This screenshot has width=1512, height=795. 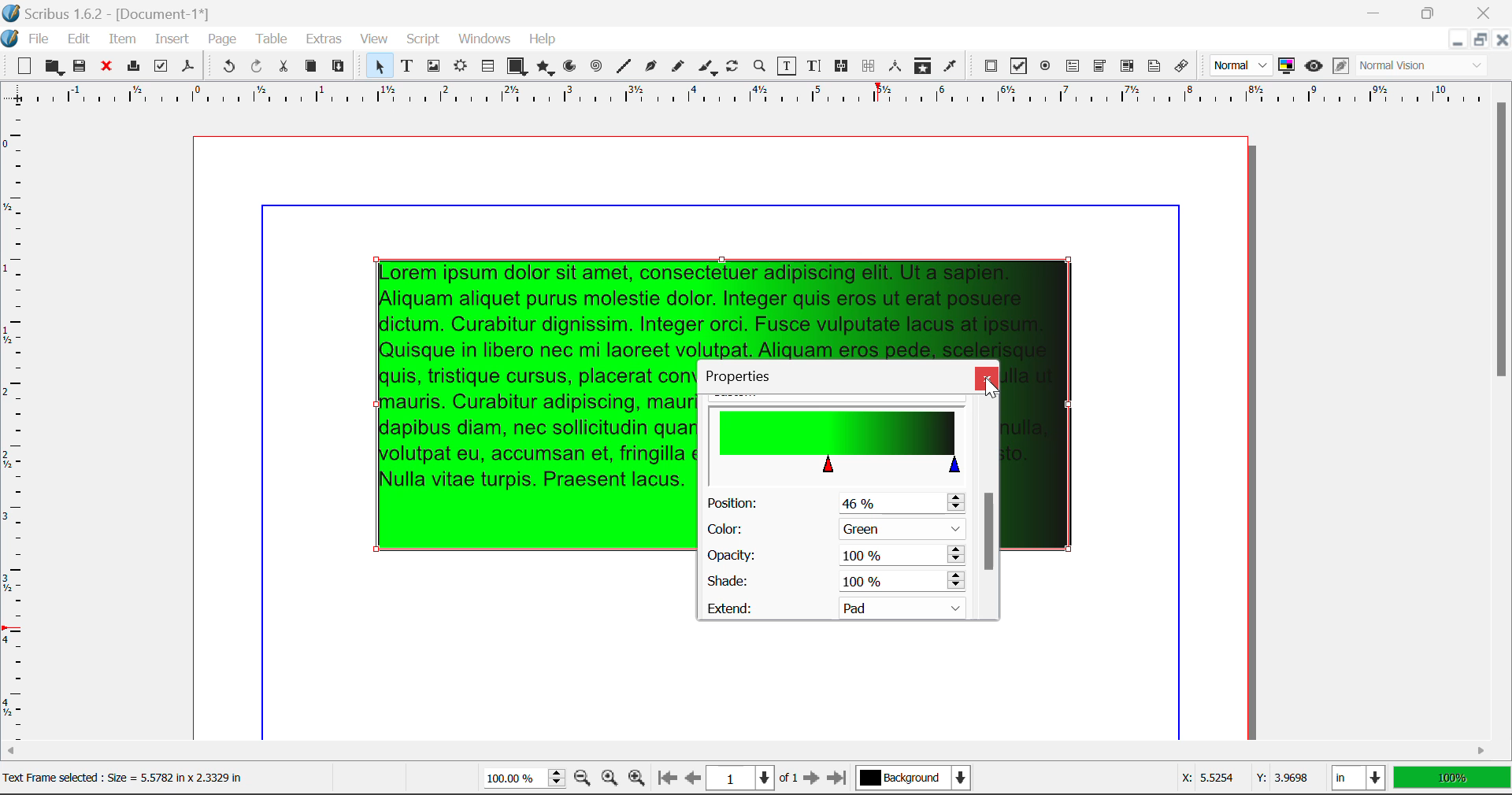 I want to click on Delink Frames, so click(x=869, y=66).